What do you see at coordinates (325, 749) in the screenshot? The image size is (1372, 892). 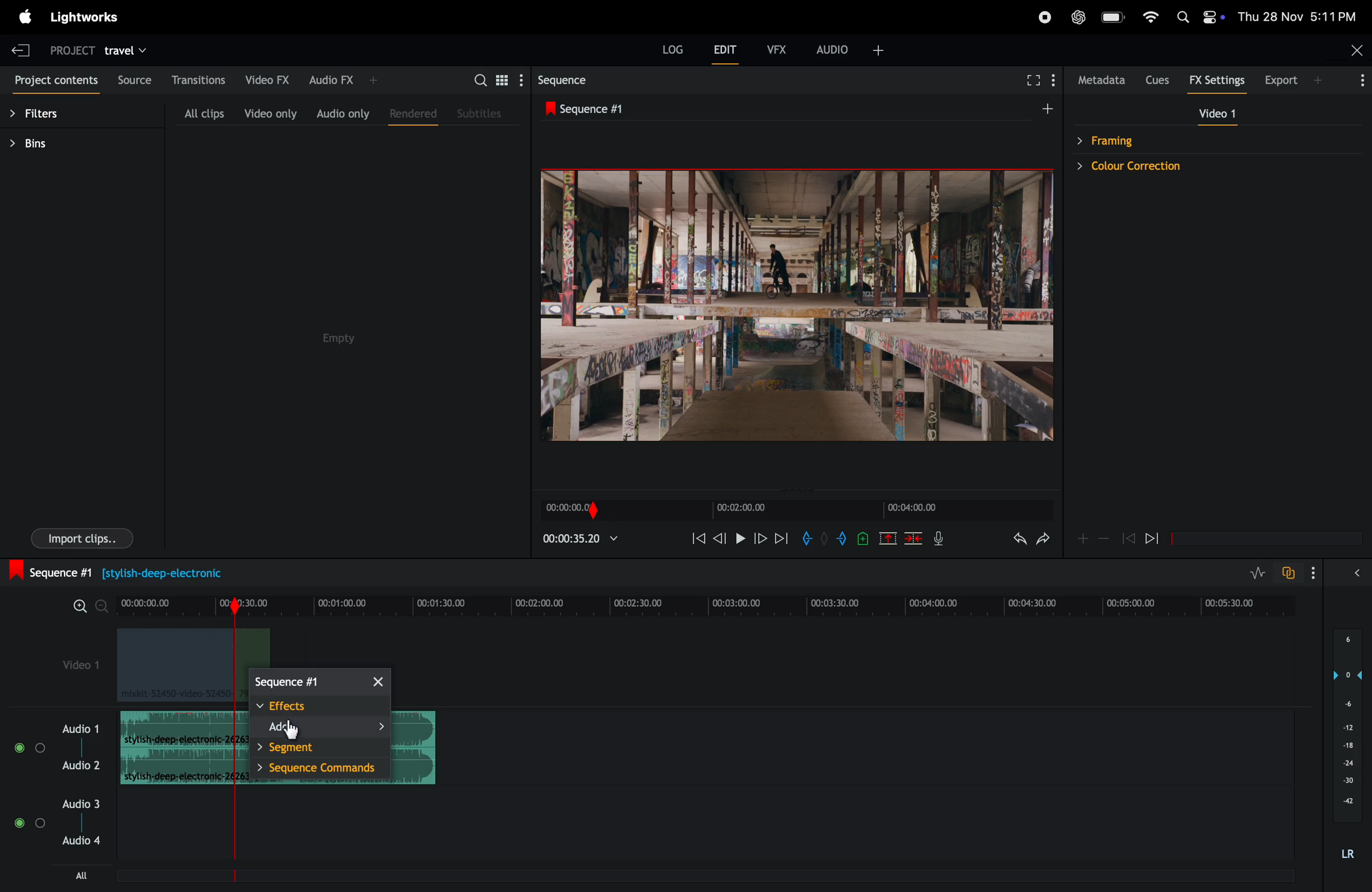 I see `segement` at bounding box center [325, 749].